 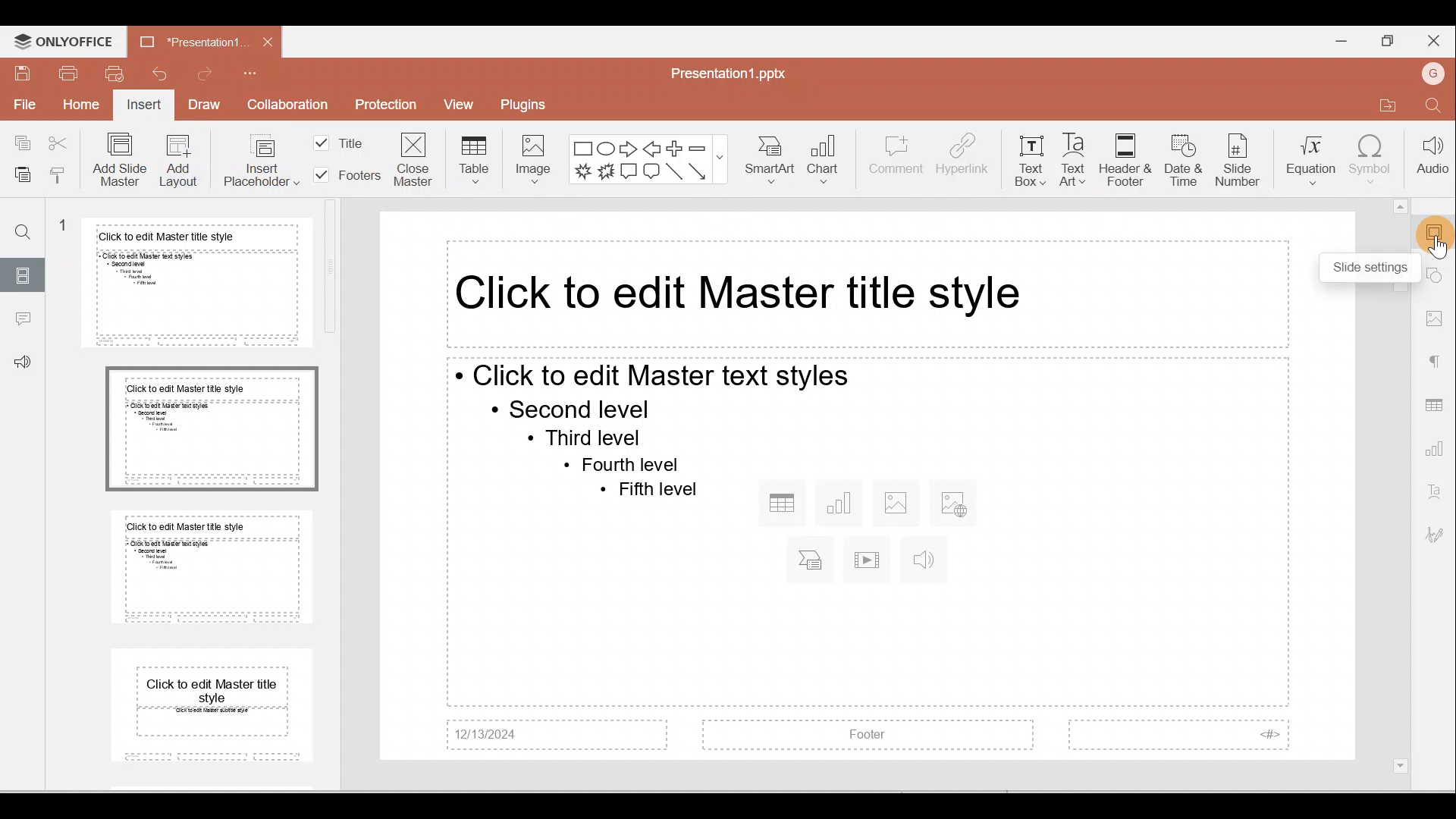 What do you see at coordinates (1307, 158) in the screenshot?
I see `Equation` at bounding box center [1307, 158].